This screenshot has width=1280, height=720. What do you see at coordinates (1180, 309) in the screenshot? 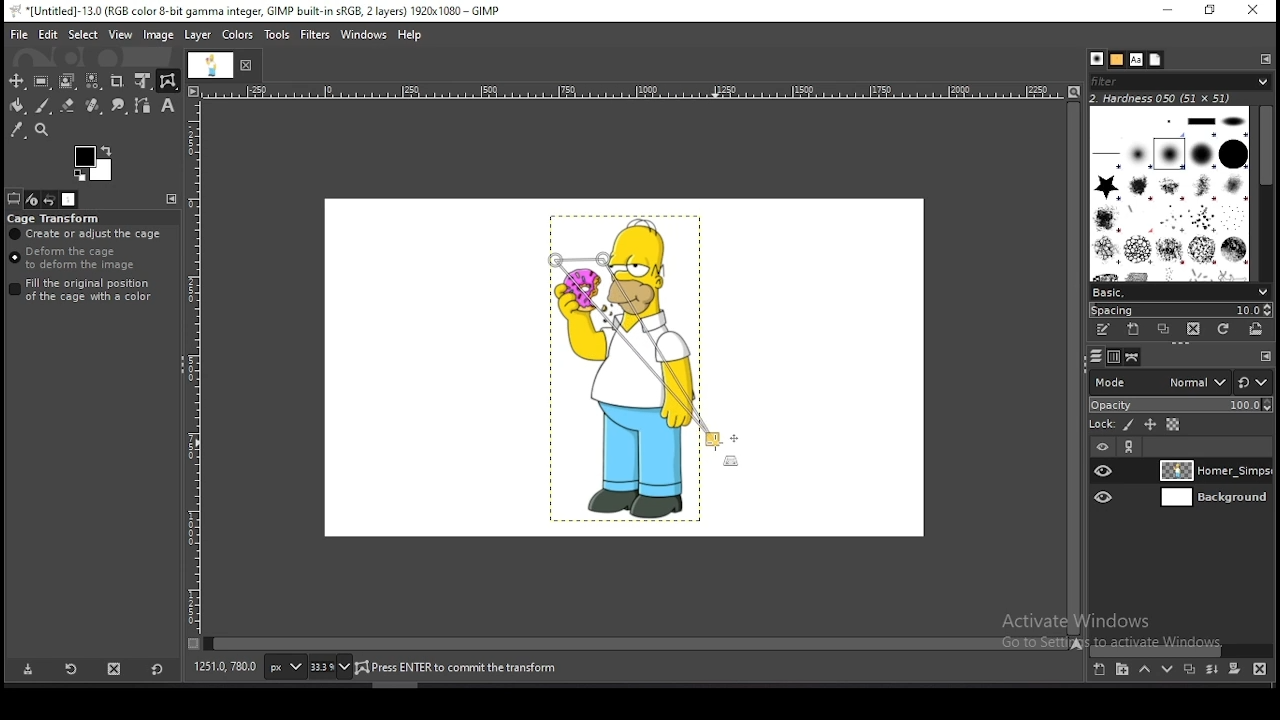
I see `spacing` at bounding box center [1180, 309].